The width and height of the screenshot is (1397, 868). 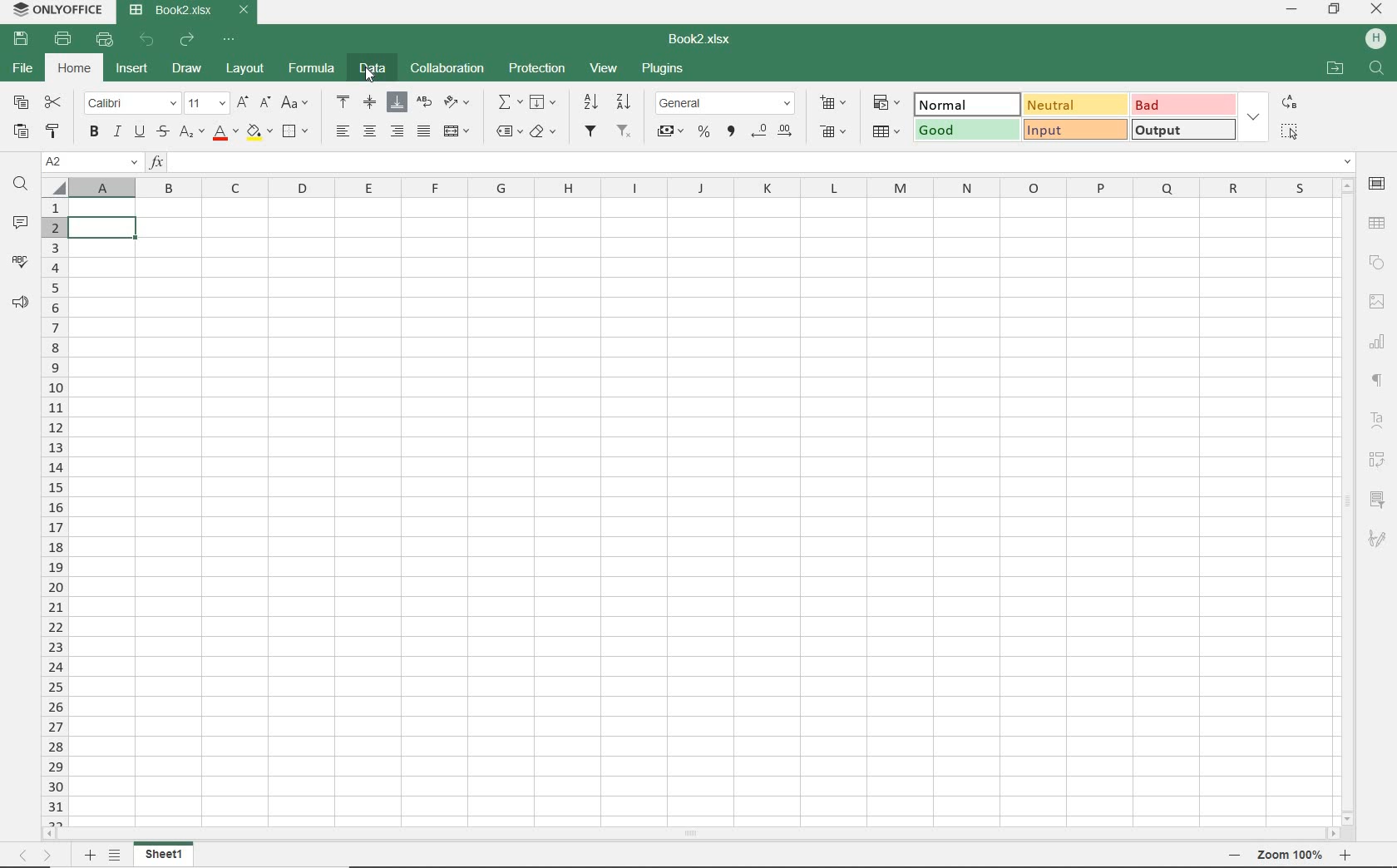 I want to click on FILE, so click(x=23, y=68).